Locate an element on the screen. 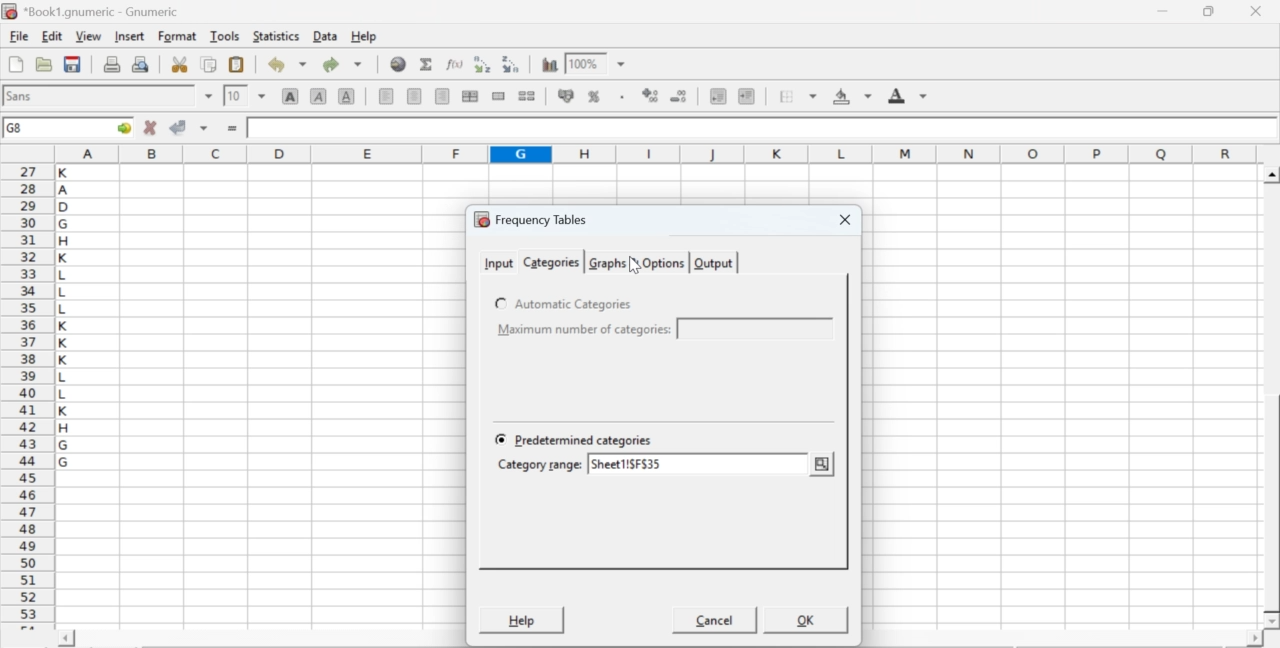 This screenshot has height=648, width=1280. accept changes across selection is located at coordinates (203, 127).